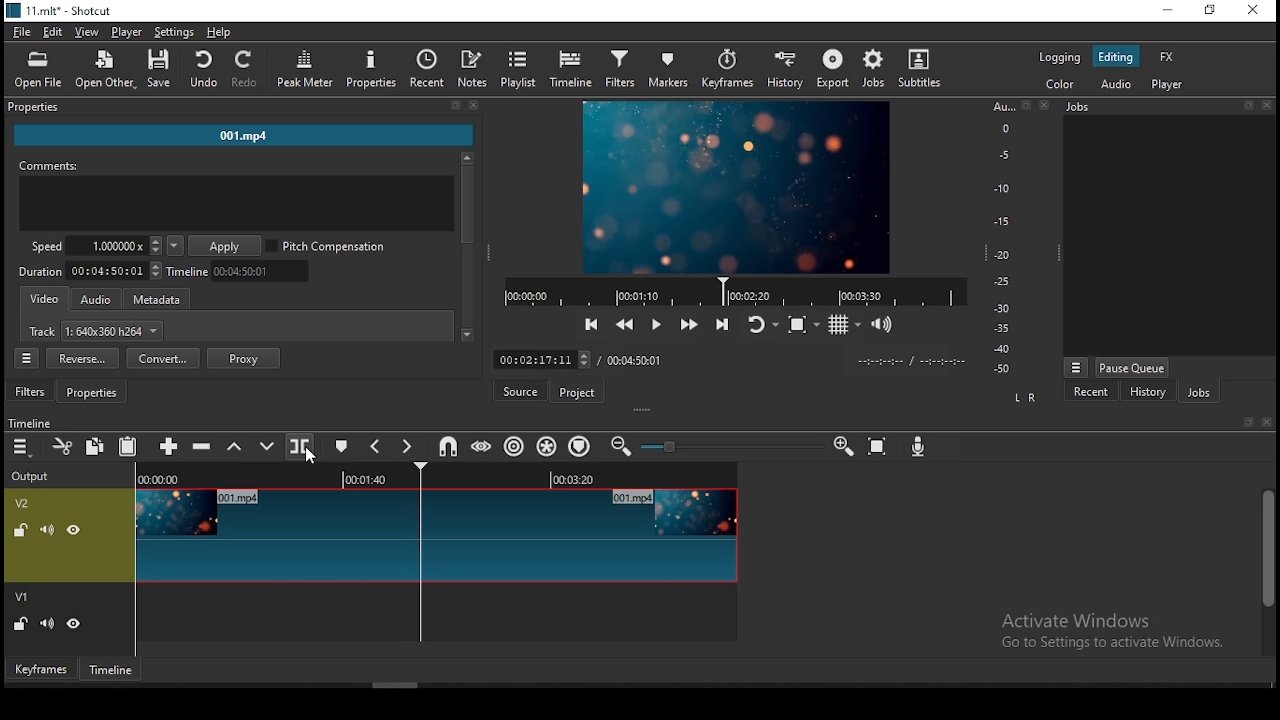  I want to click on properties, so click(95, 393).